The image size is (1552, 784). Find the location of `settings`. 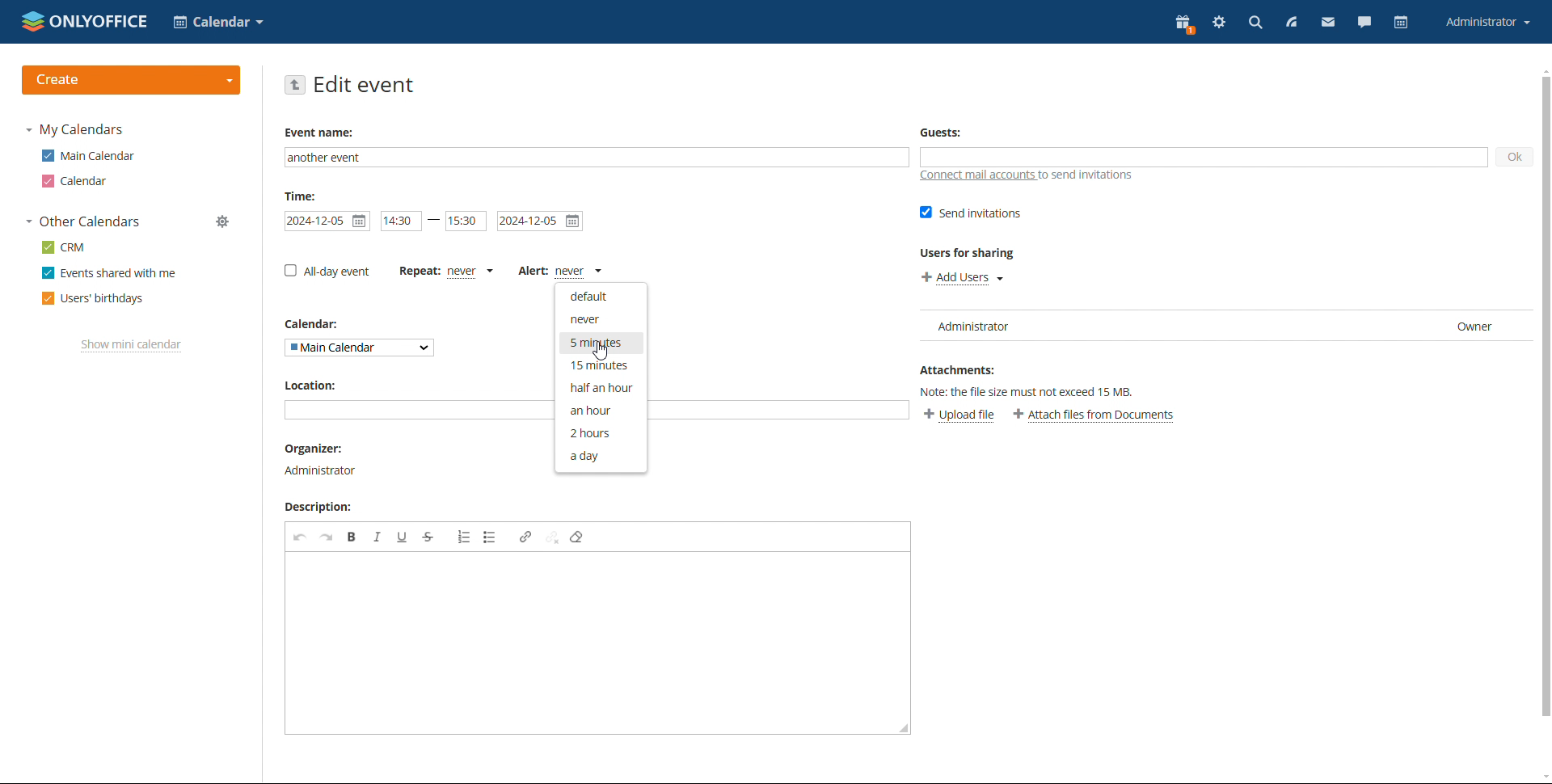

settings is located at coordinates (1221, 23).